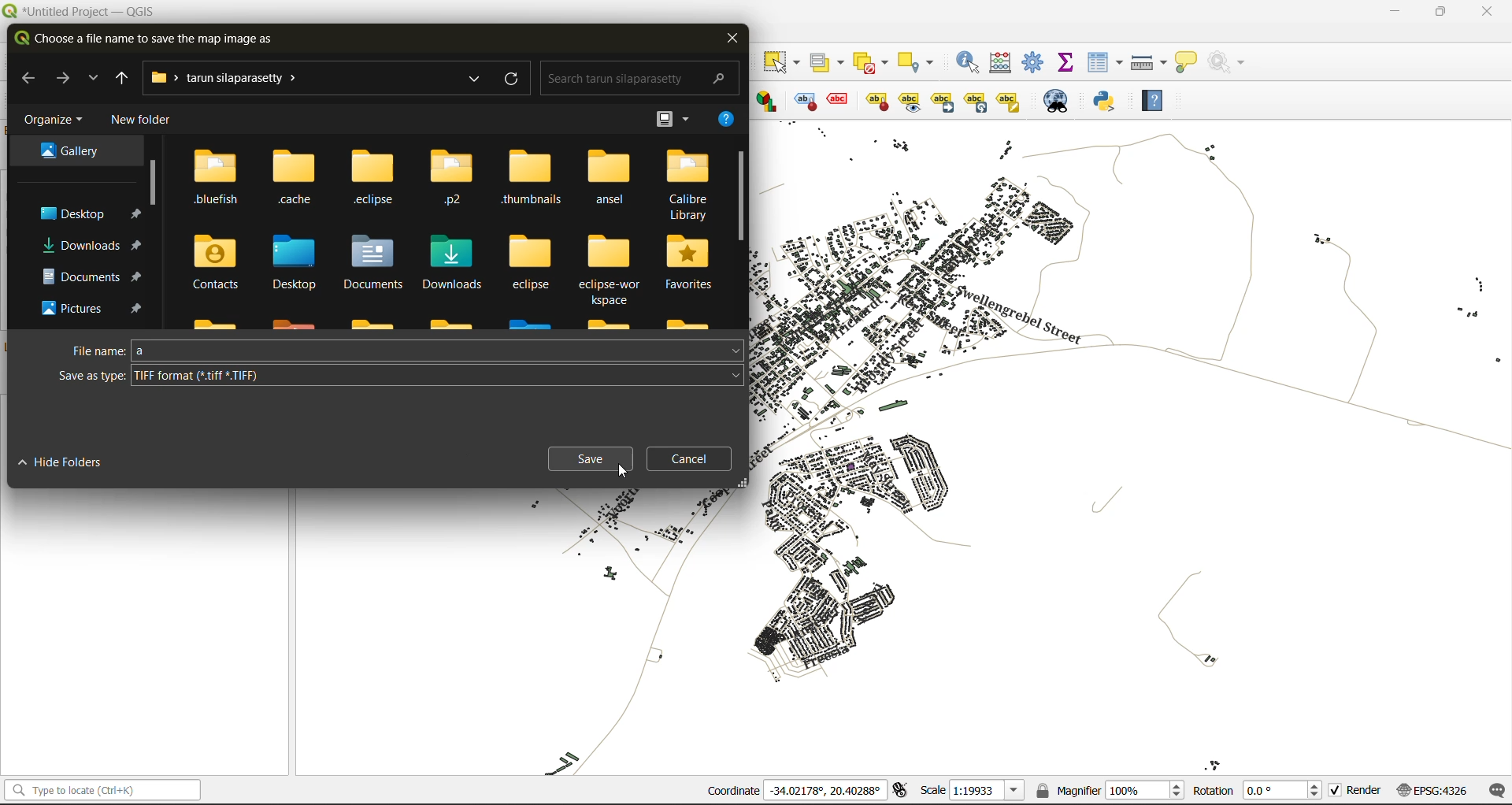  I want to click on render, so click(1352, 793).